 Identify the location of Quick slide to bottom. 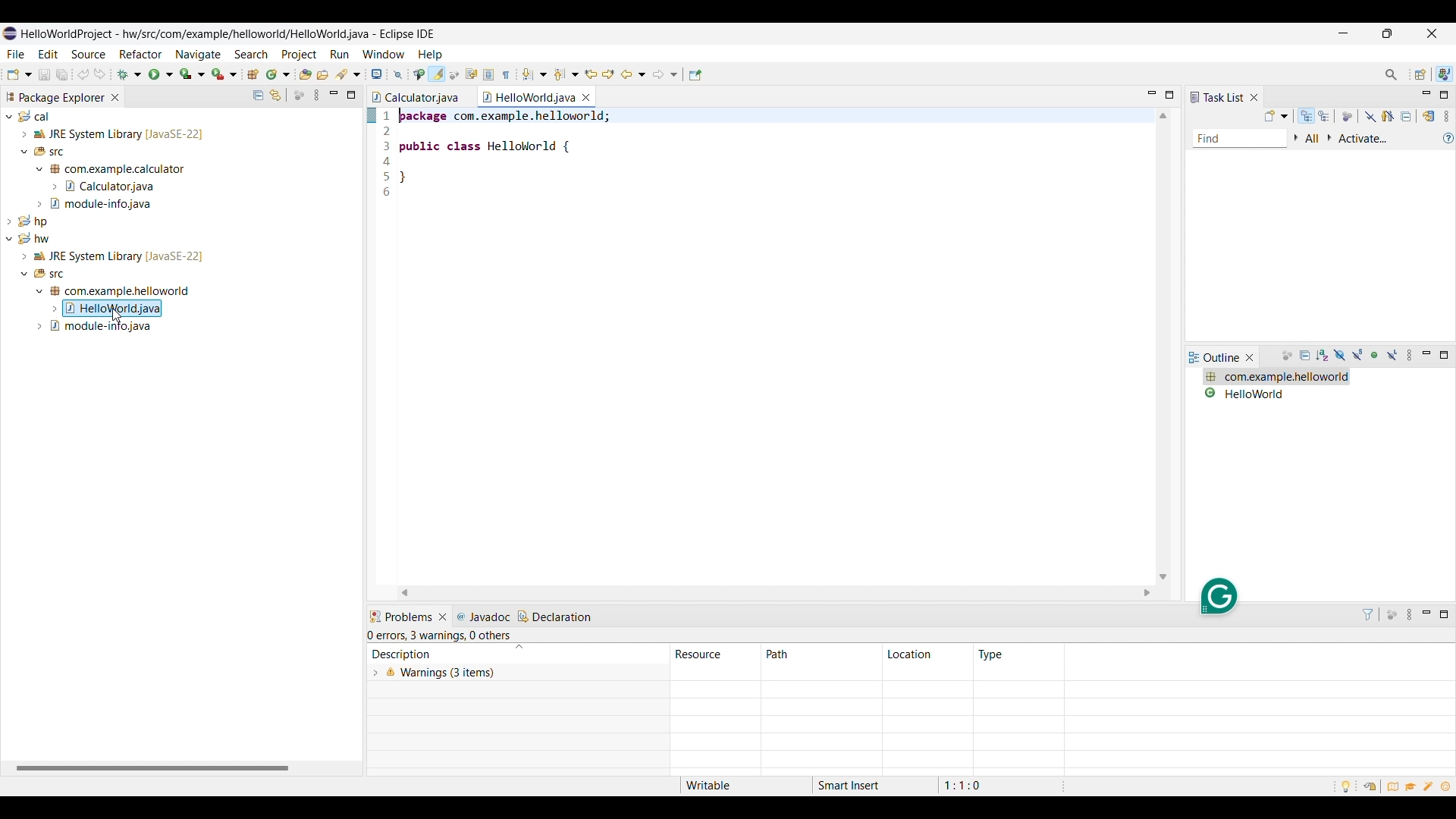
(1163, 577).